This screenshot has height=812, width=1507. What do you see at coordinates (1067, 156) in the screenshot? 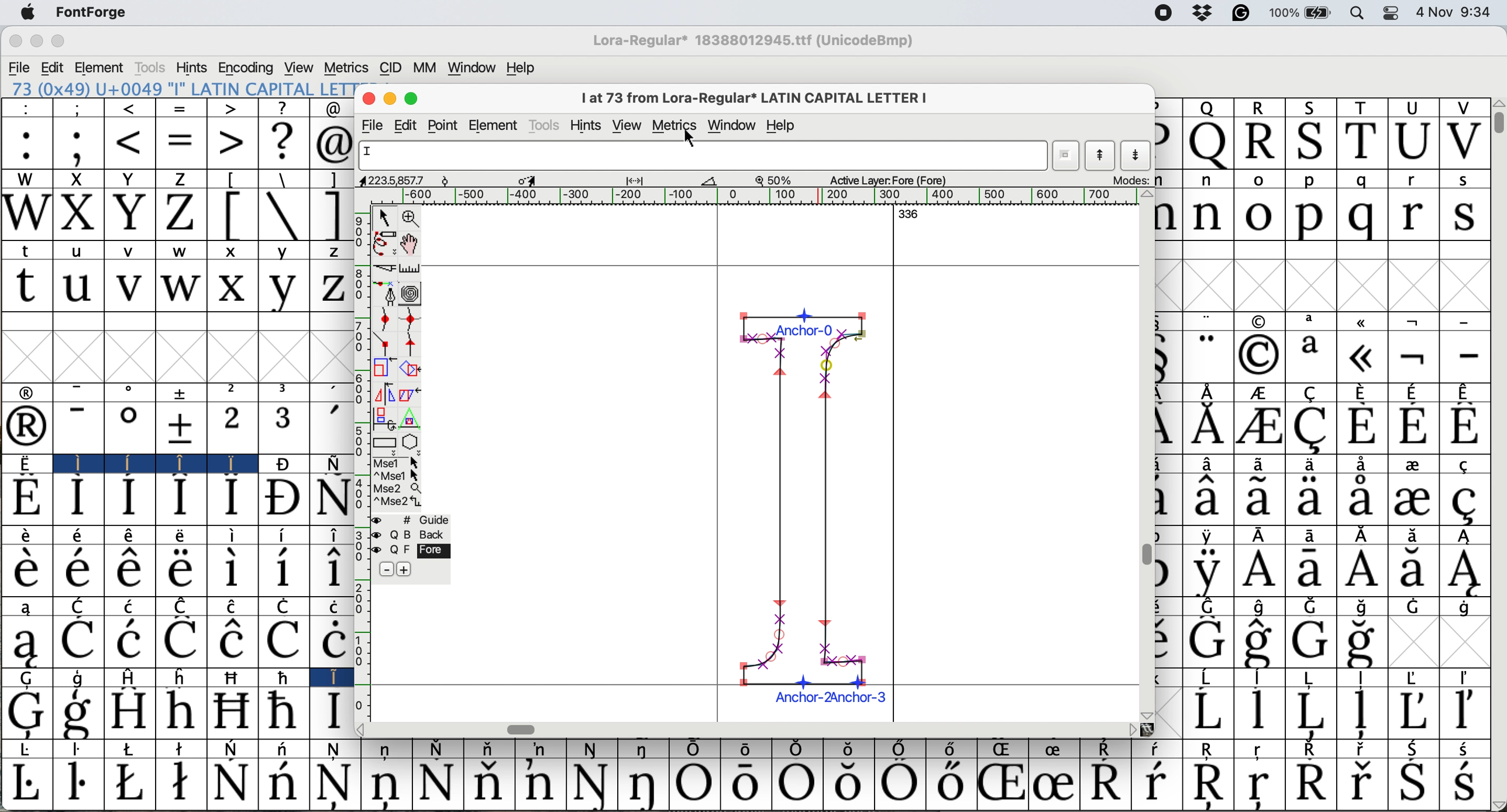
I see `current wordlist` at bounding box center [1067, 156].